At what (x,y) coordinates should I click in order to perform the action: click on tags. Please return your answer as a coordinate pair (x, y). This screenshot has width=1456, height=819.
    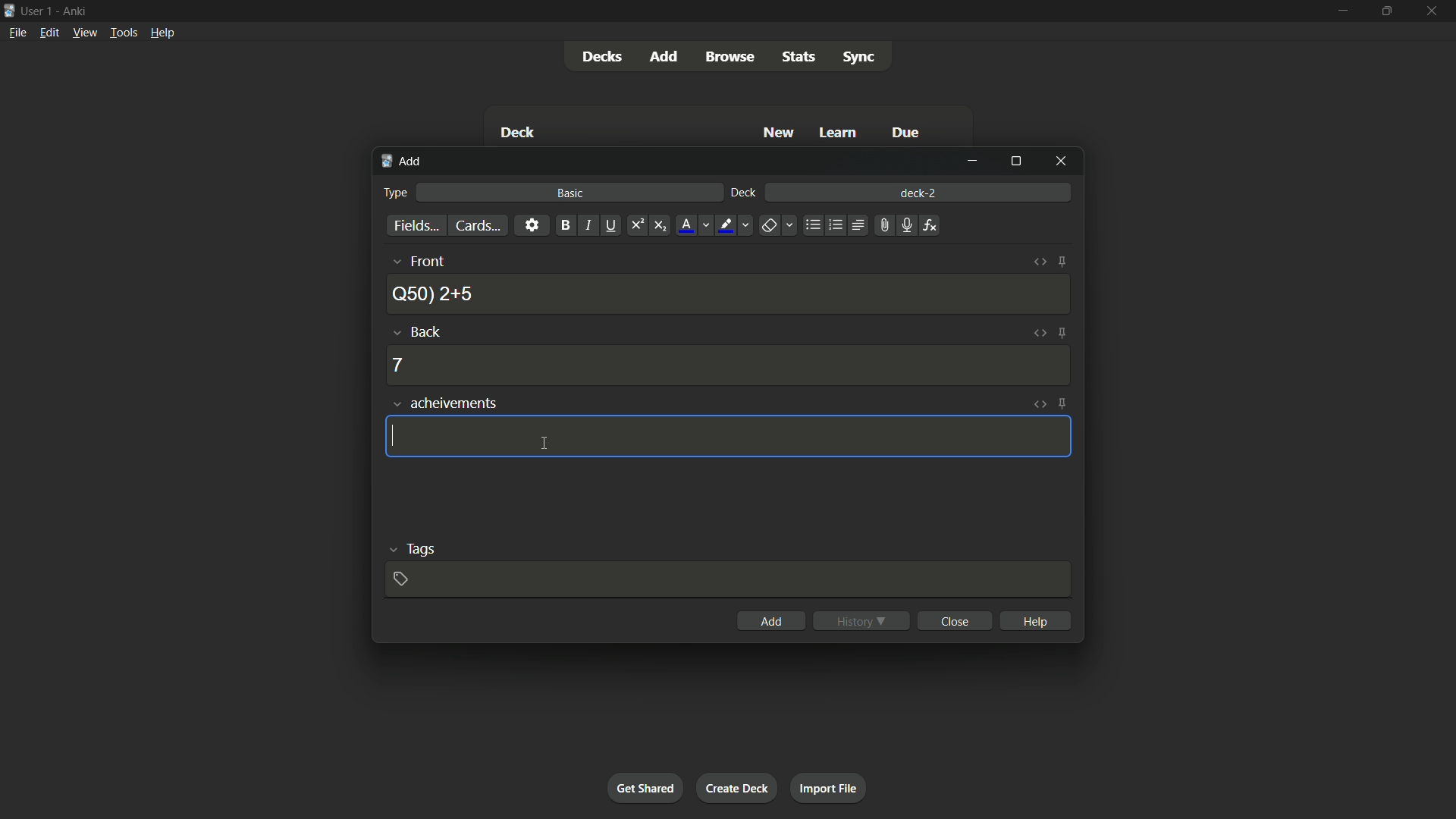
    Looking at the image, I should click on (412, 548).